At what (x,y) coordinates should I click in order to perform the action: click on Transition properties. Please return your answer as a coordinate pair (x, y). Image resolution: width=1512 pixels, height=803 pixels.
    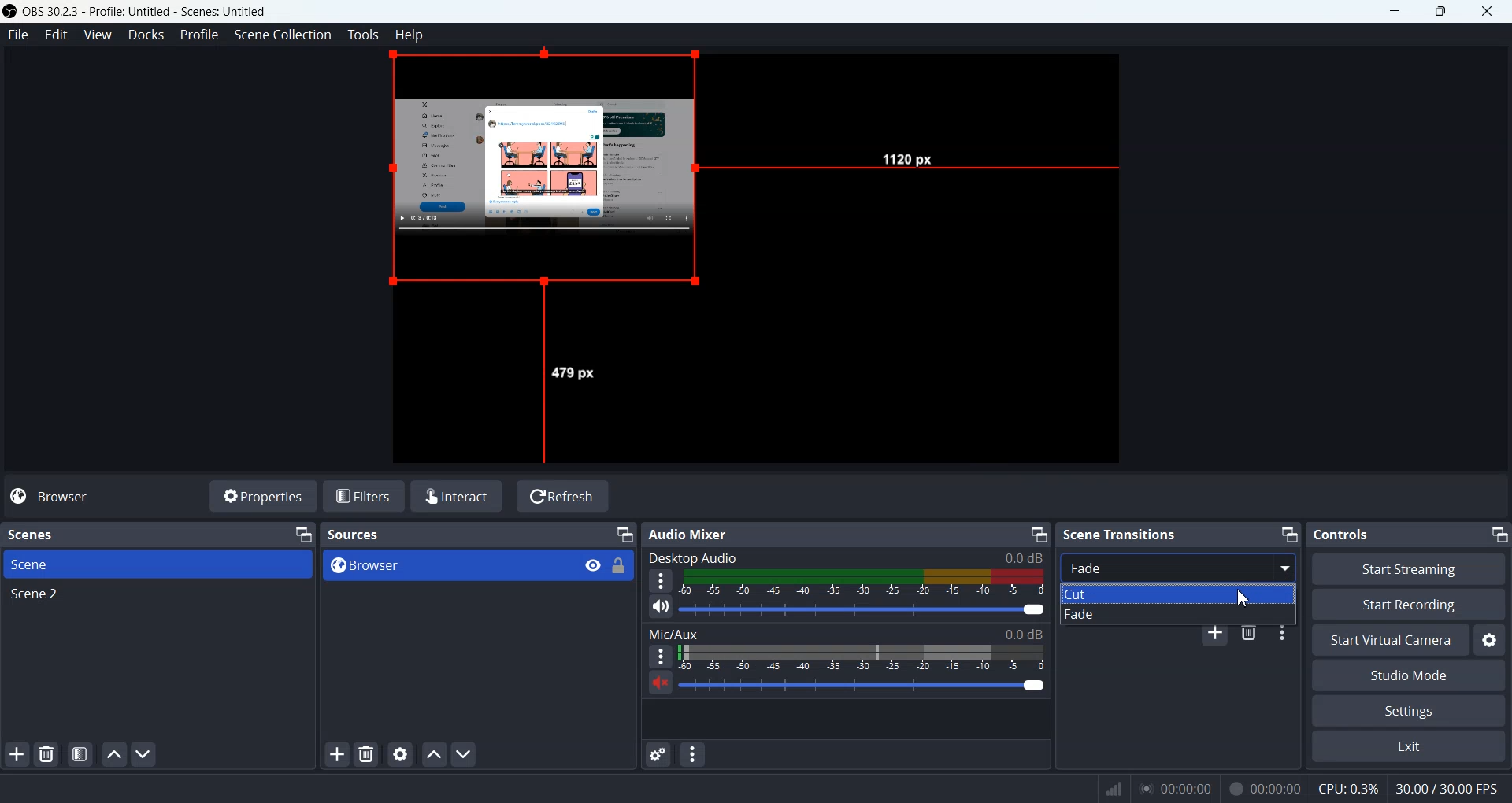
    Looking at the image, I should click on (1281, 635).